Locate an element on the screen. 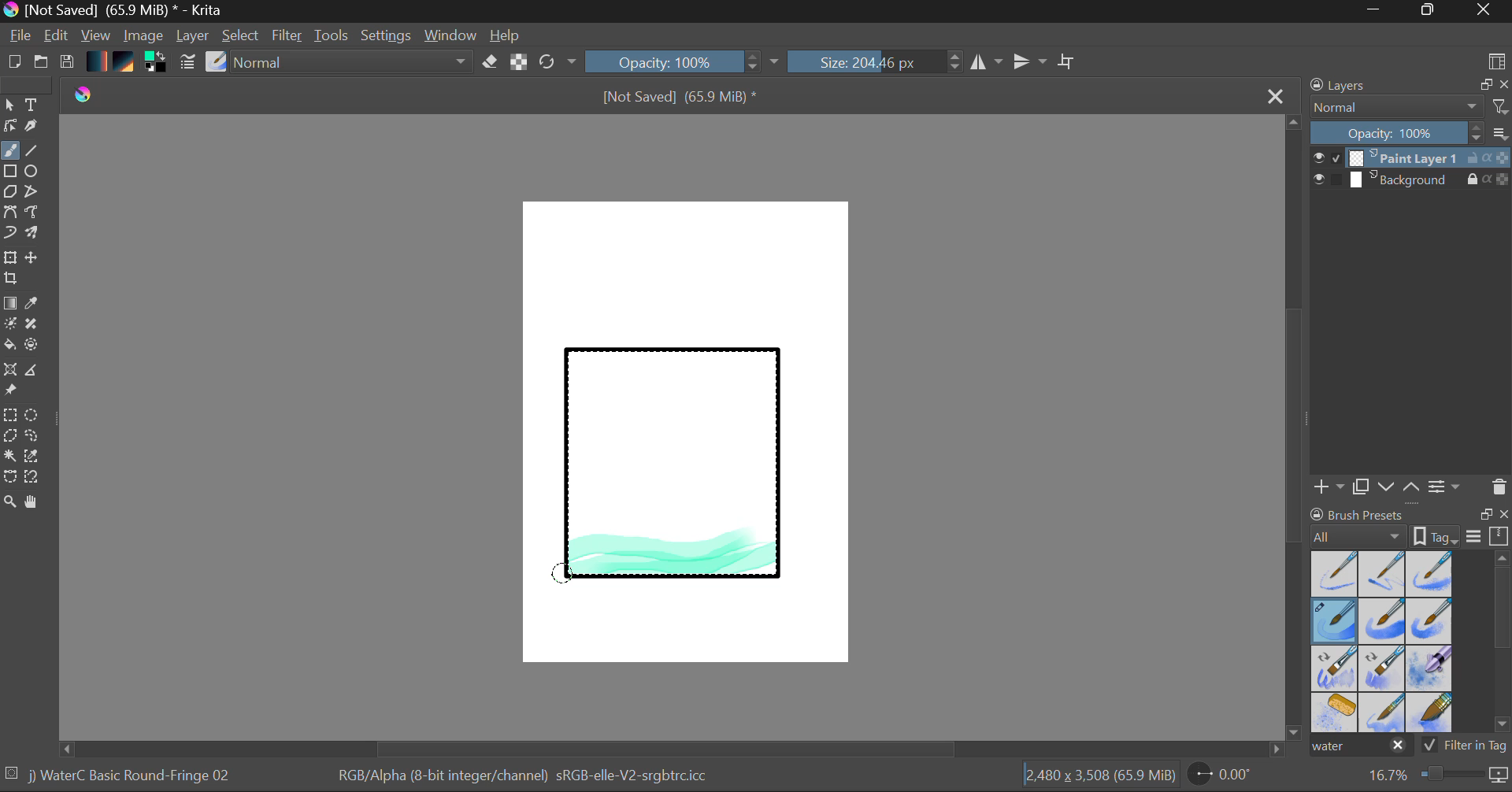 The height and width of the screenshot is (792, 1512). Layer Opacity is located at coordinates (1412, 134).